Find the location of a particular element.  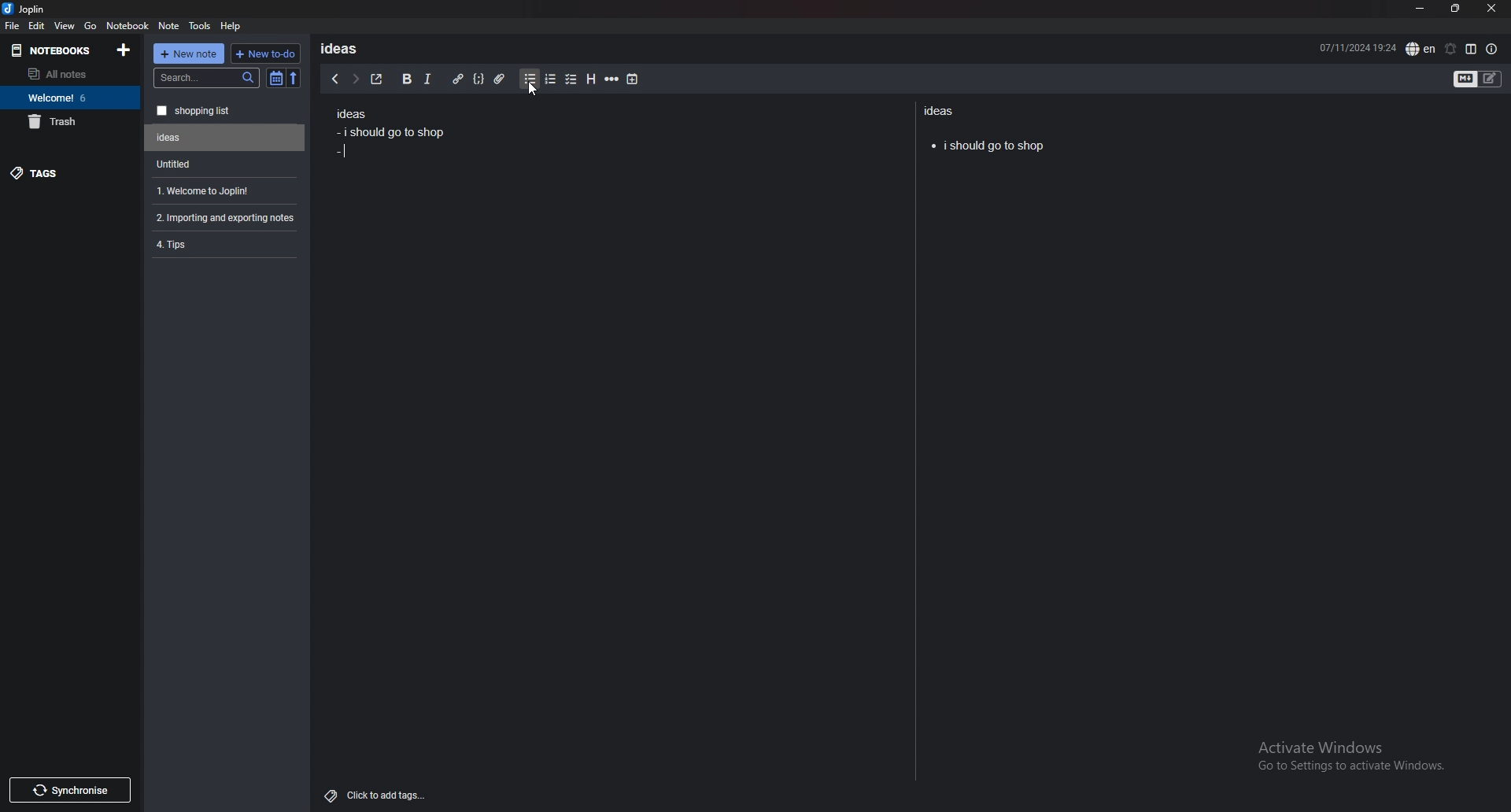

checkbox is located at coordinates (571, 80).